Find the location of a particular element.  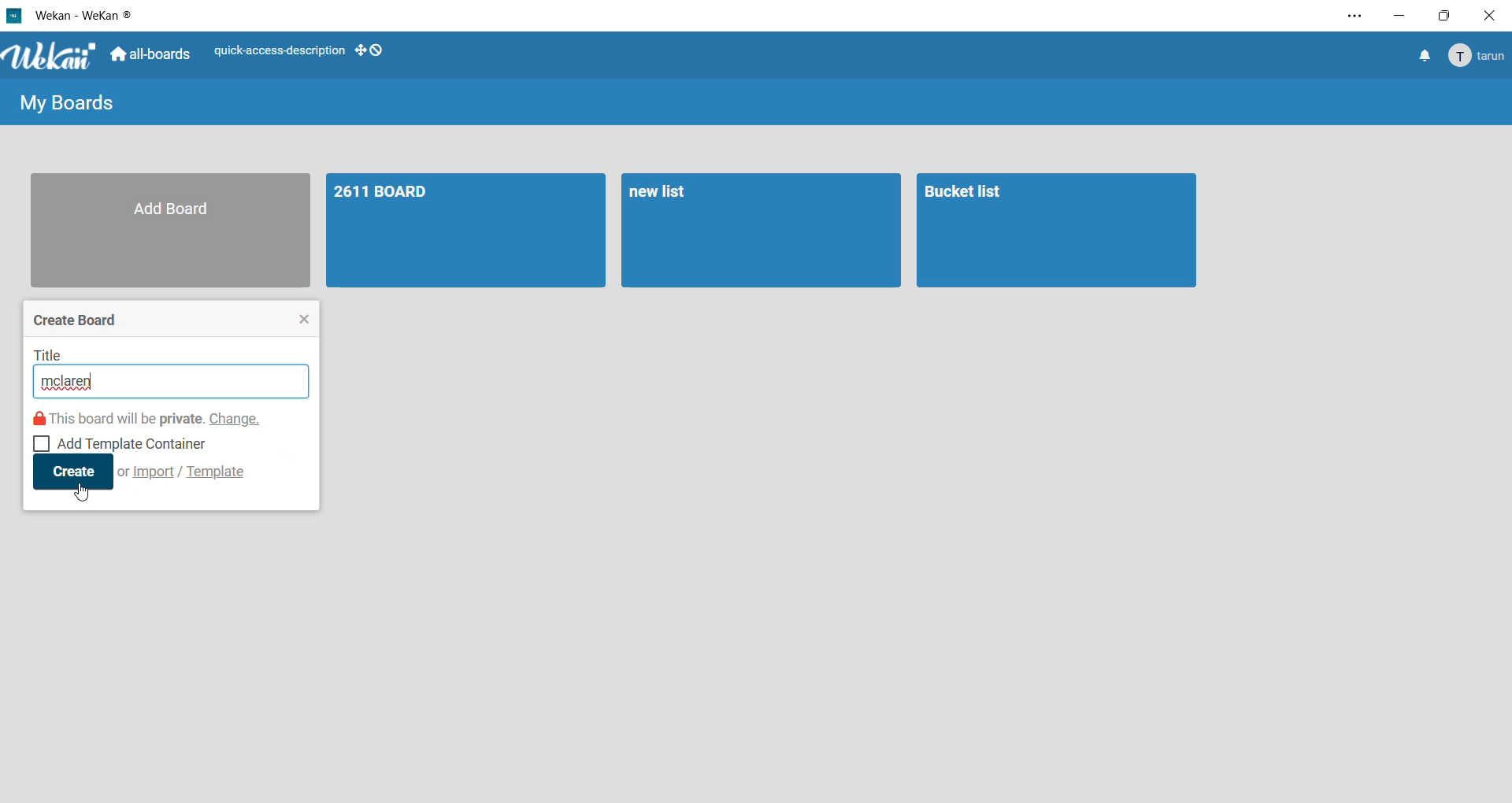

import/template is located at coordinates (183, 473).